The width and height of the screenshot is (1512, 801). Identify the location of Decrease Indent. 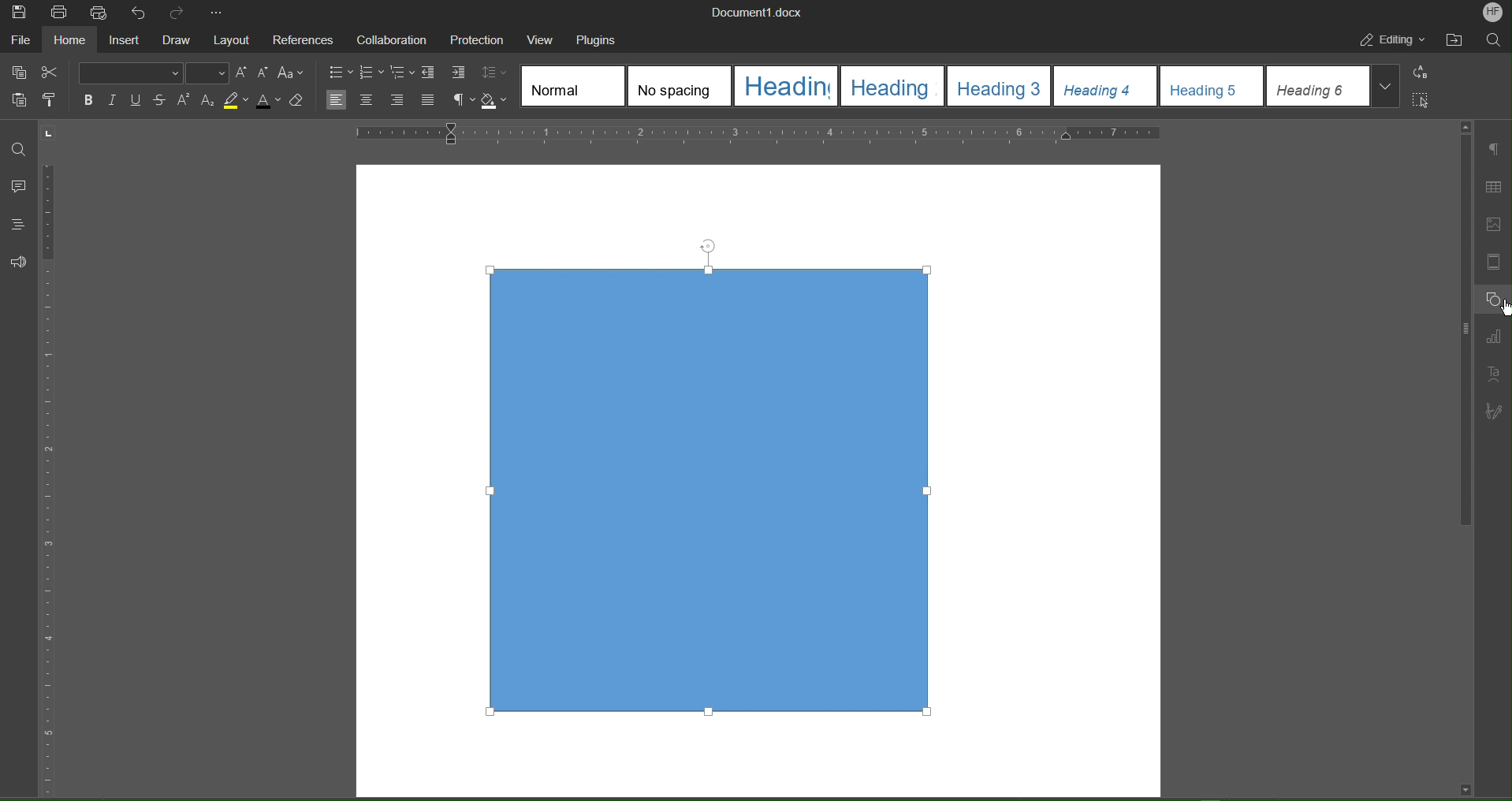
(432, 73).